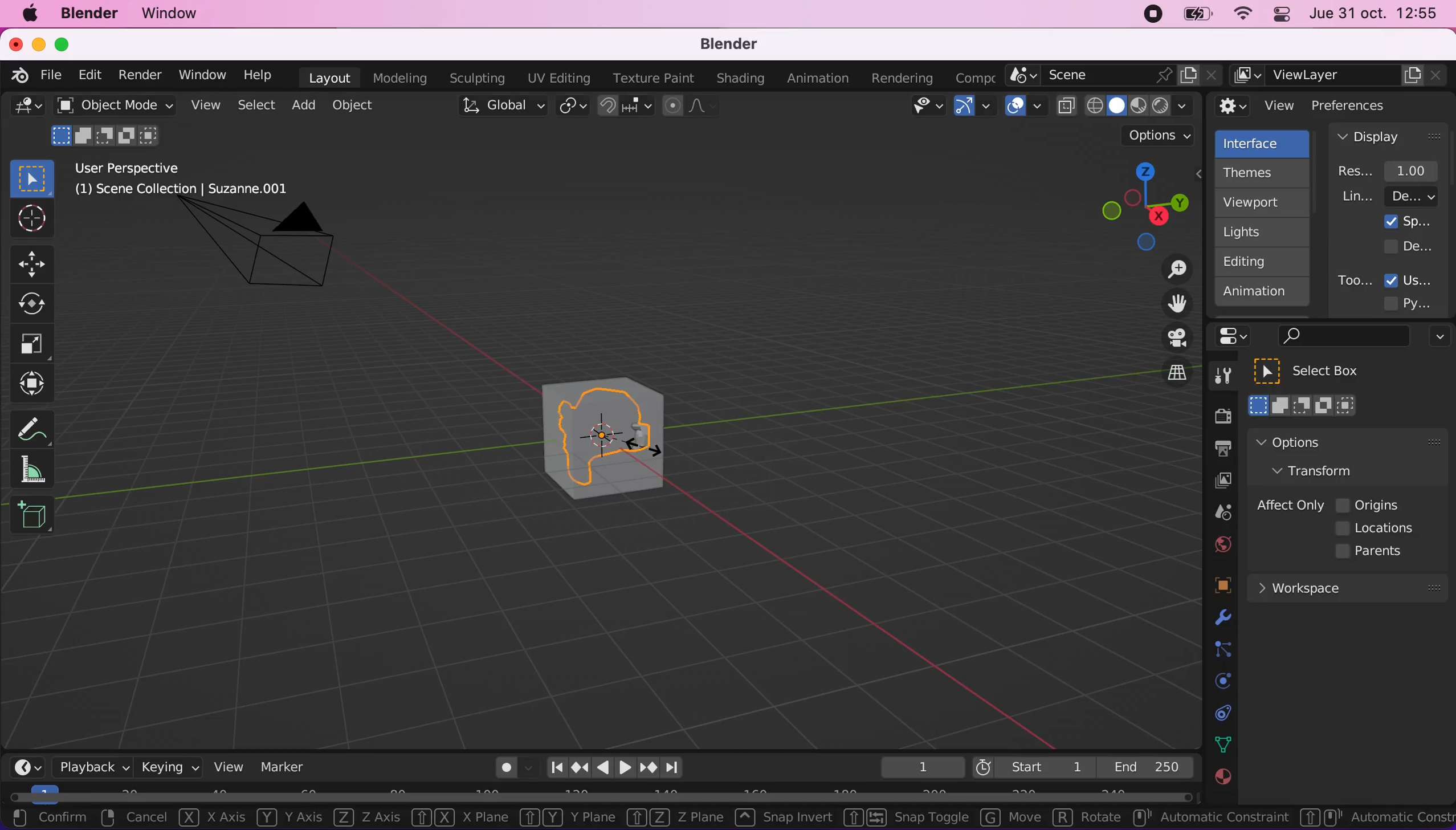  What do you see at coordinates (1369, 503) in the screenshot?
I see `origins` at bounding box center [1369, 503].